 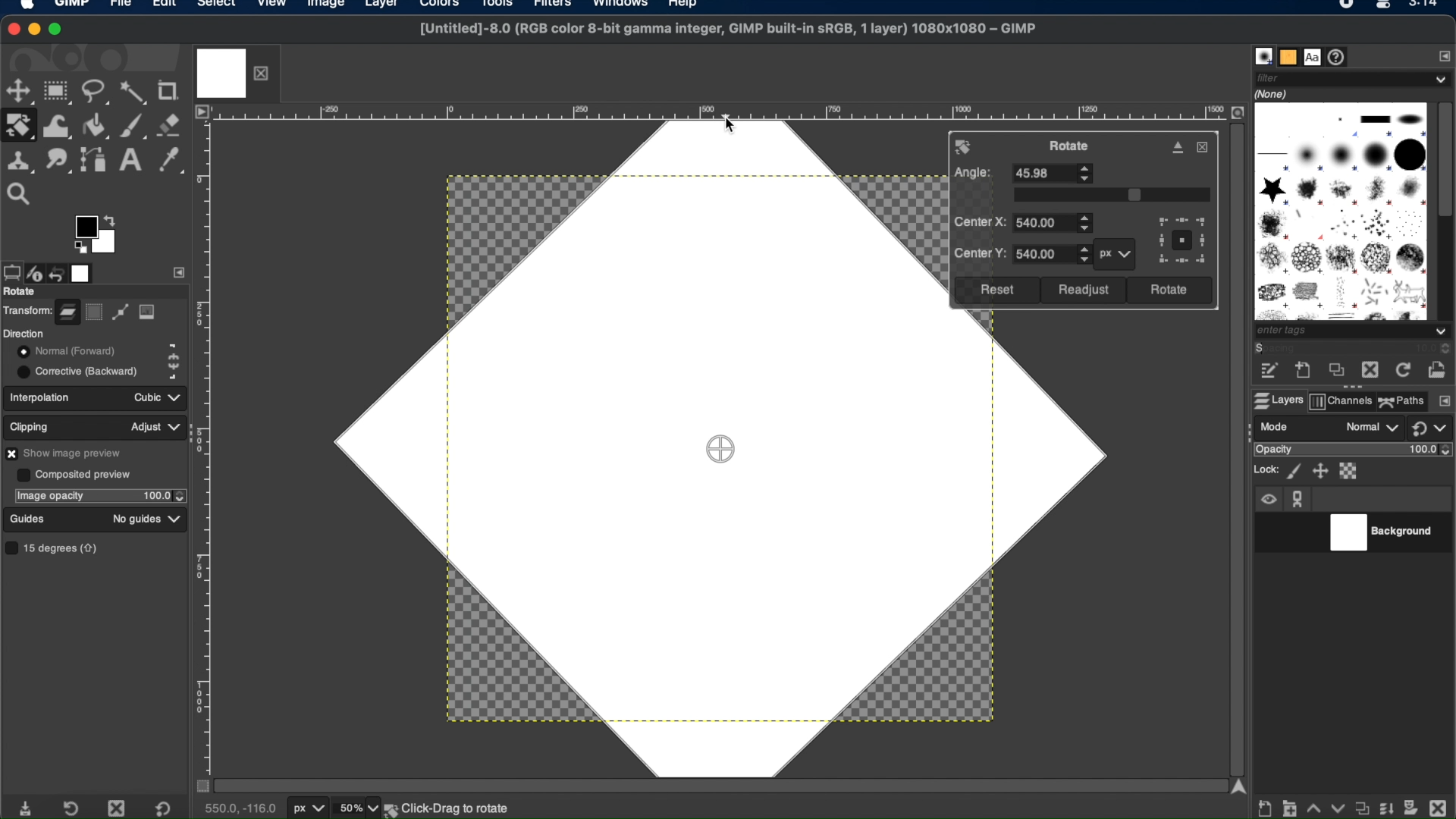 I want to click on guides, so click(x=28, y=519).